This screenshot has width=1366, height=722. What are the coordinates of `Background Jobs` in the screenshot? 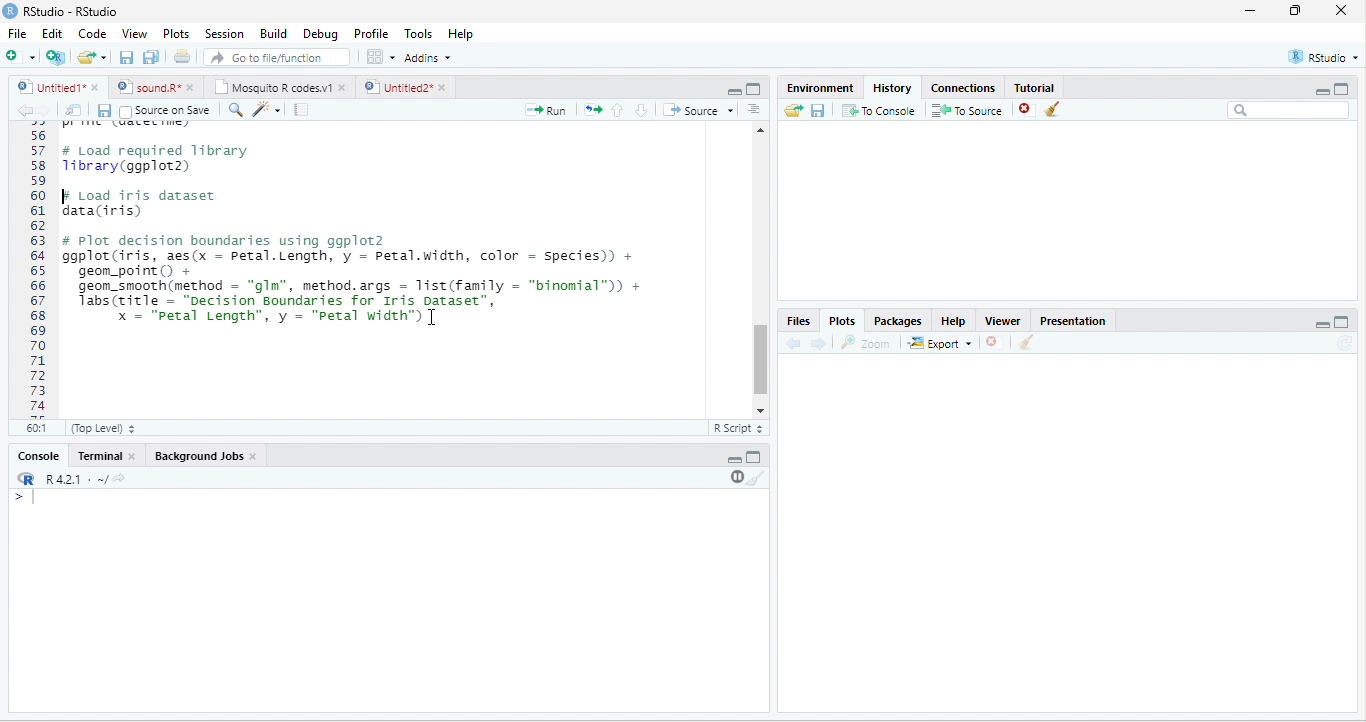 It's located at (197, 456).